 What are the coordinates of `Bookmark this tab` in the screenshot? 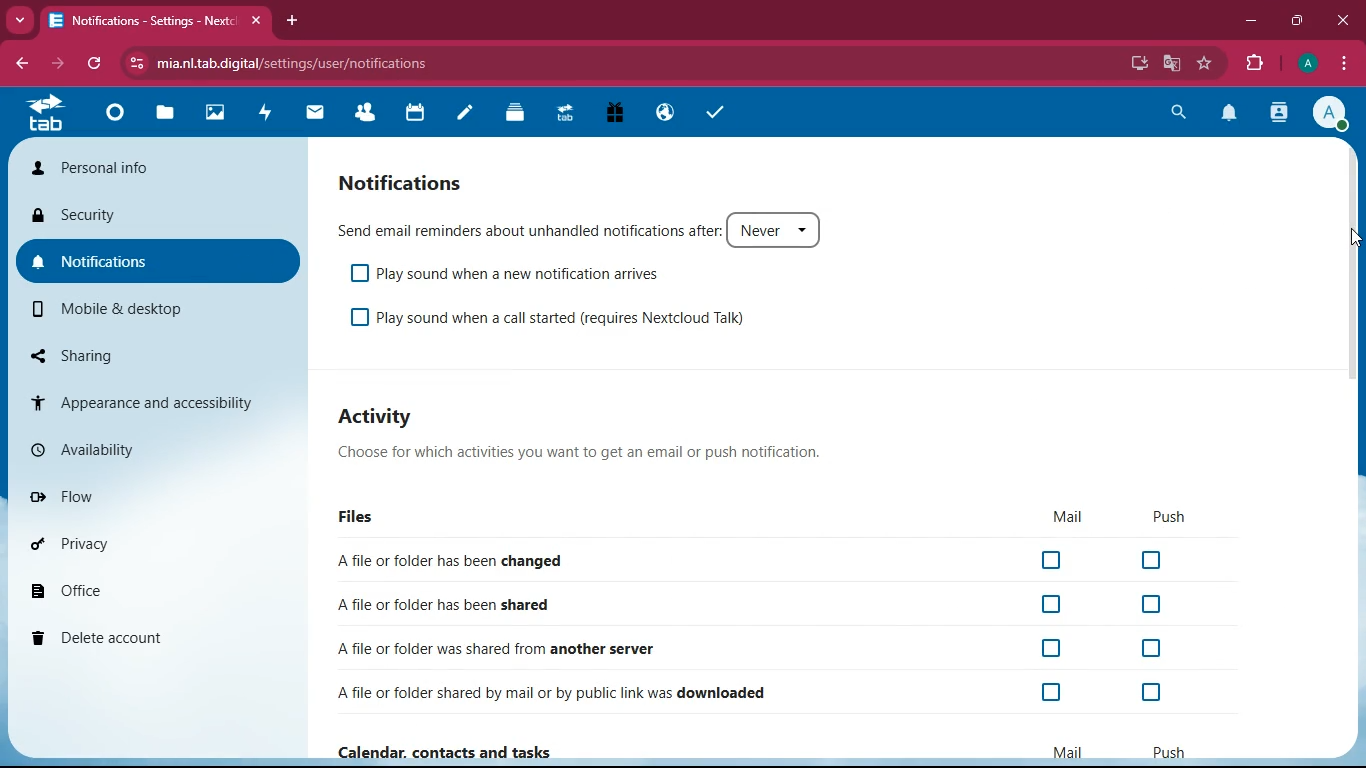 It's located at (1205, 61).